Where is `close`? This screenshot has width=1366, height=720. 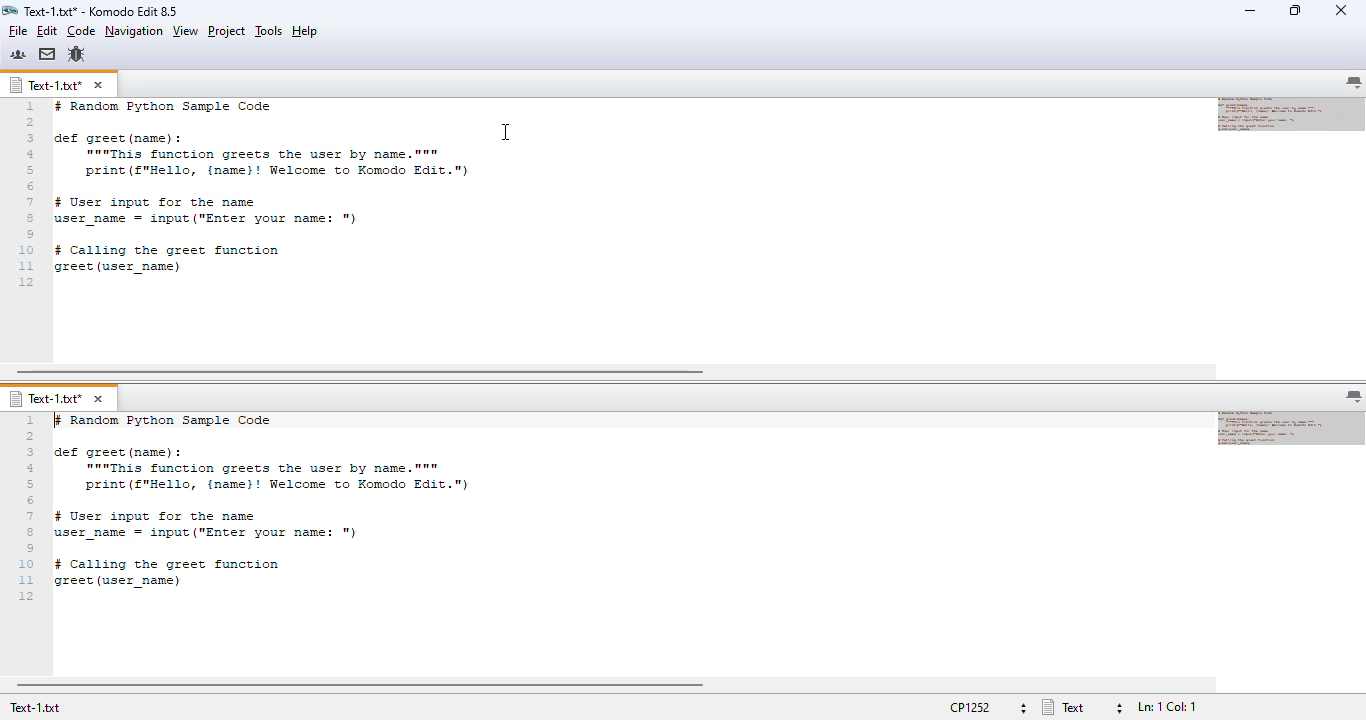
close is located at coordinates (1341, 11).